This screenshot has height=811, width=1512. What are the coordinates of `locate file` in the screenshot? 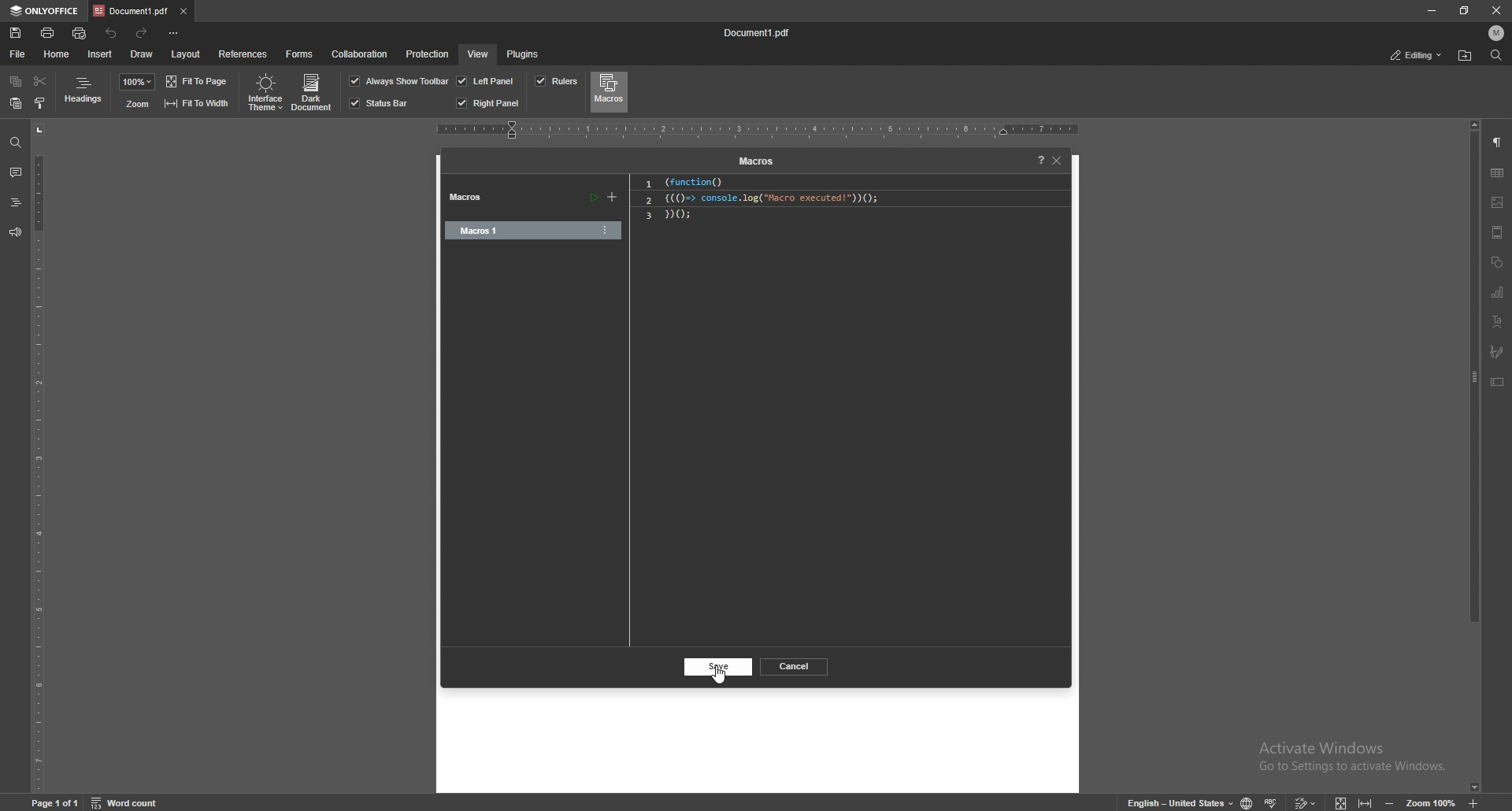 It's located at (1466, 55).